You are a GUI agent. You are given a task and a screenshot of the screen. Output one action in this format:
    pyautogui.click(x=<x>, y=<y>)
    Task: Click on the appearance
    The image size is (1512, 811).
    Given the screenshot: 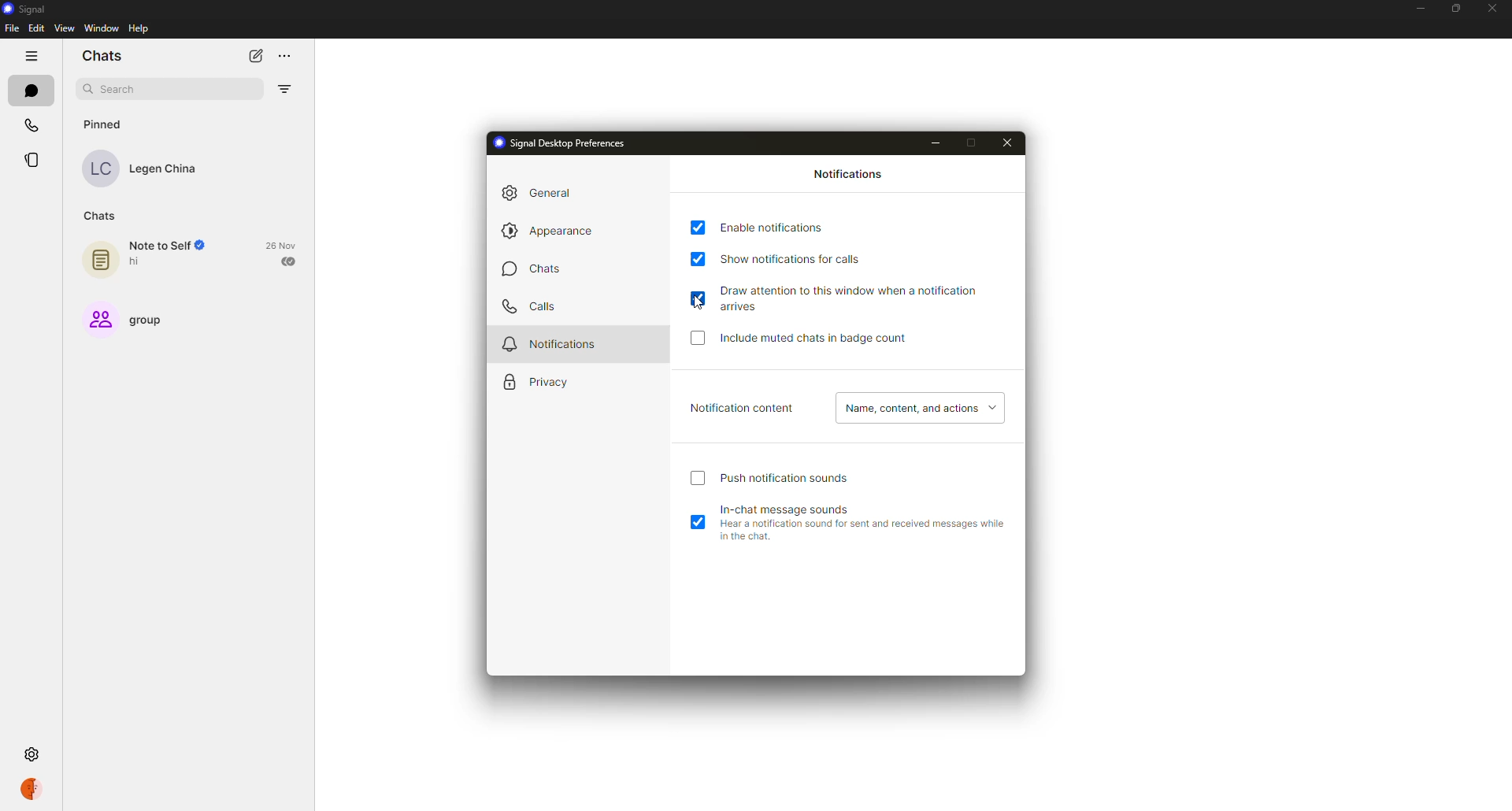 What is the action you would take?
    pyautogui.click(x=554, y=231)
    